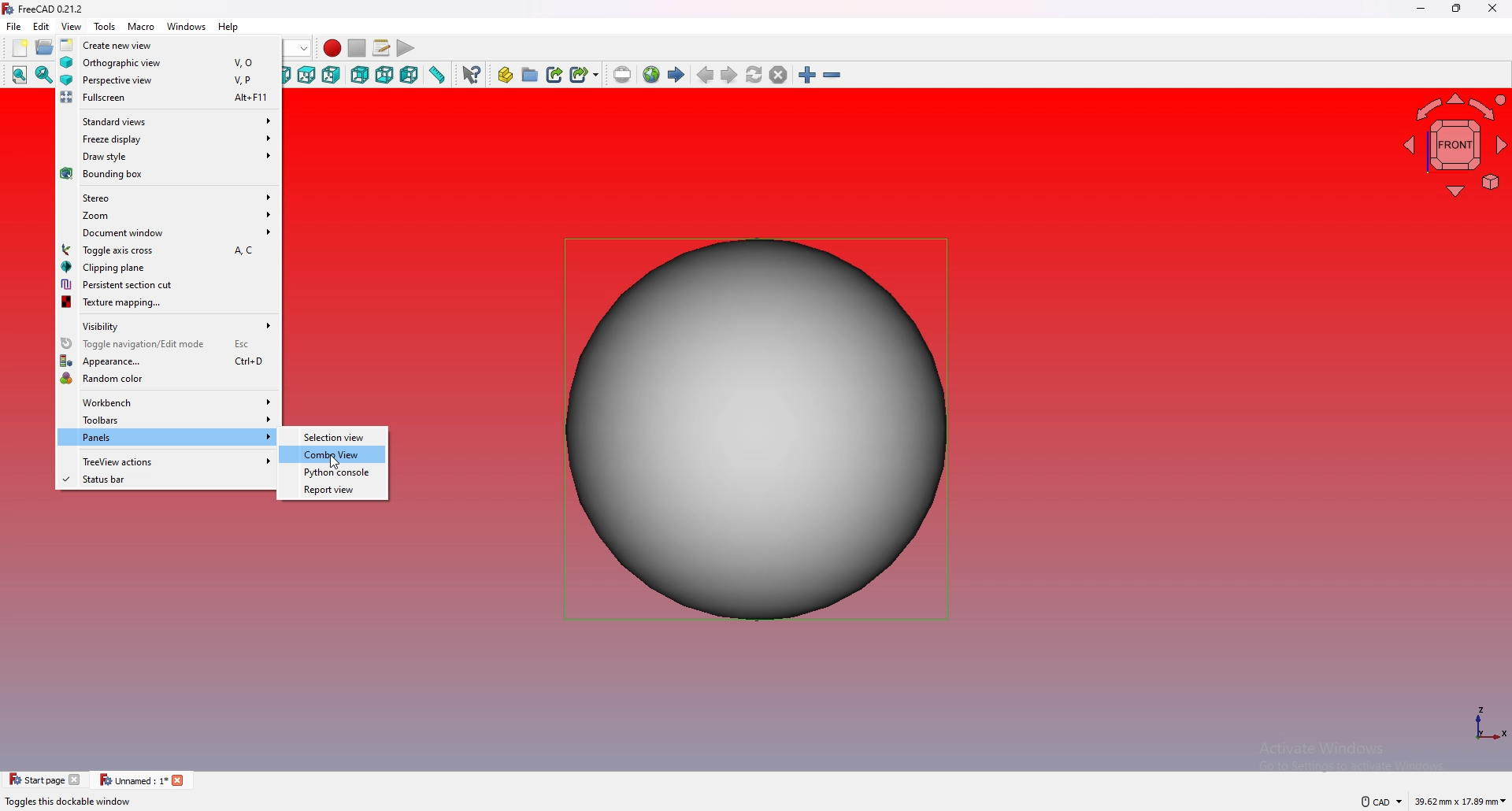 This screenshot has height=811, width=1512. What do you see at coordinates (168, 284) in the screenshot?
I see `persistent section cut` at bounding box center [168, 284].